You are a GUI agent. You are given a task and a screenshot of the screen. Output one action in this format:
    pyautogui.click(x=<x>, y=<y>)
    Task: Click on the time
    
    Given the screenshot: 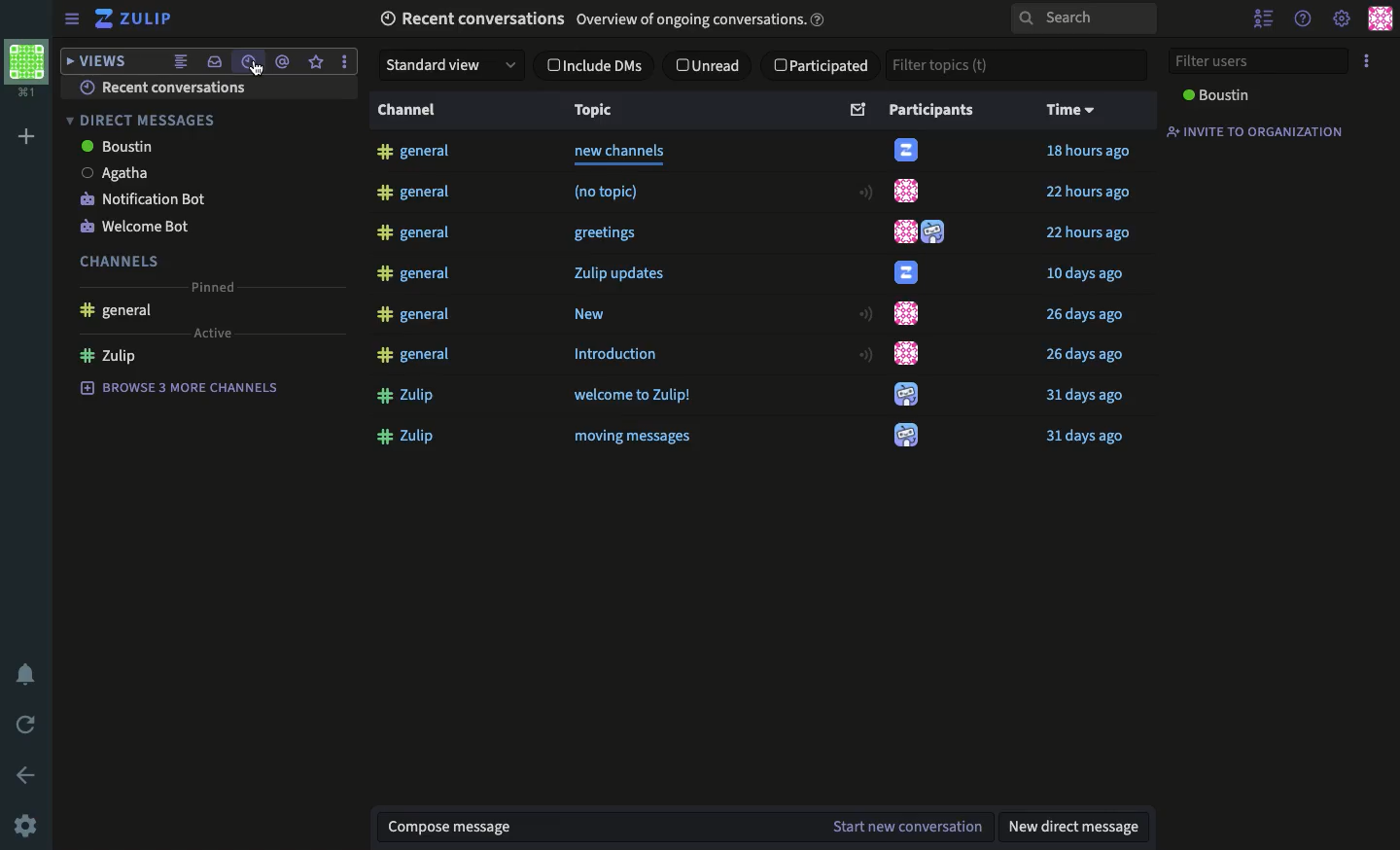 What is the action you would take?
    pyautogui.click(x=1080, y=113)
    